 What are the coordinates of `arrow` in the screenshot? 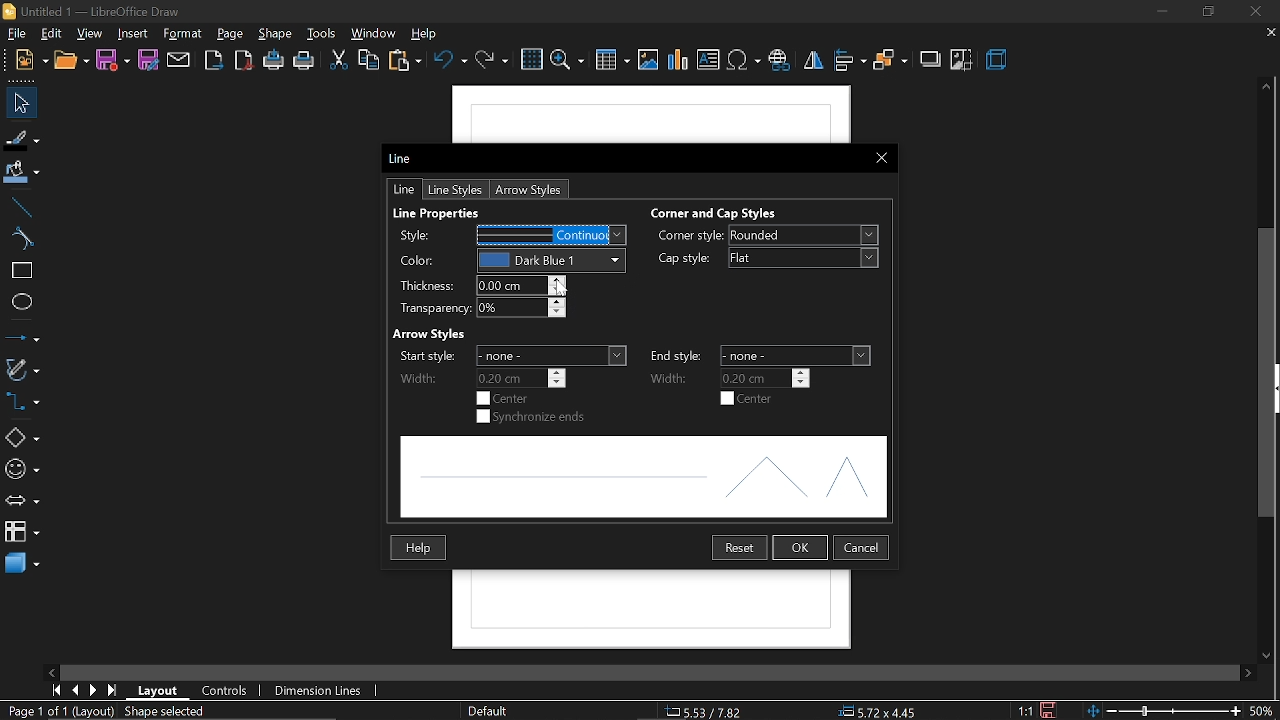 It's located at (534, 189).